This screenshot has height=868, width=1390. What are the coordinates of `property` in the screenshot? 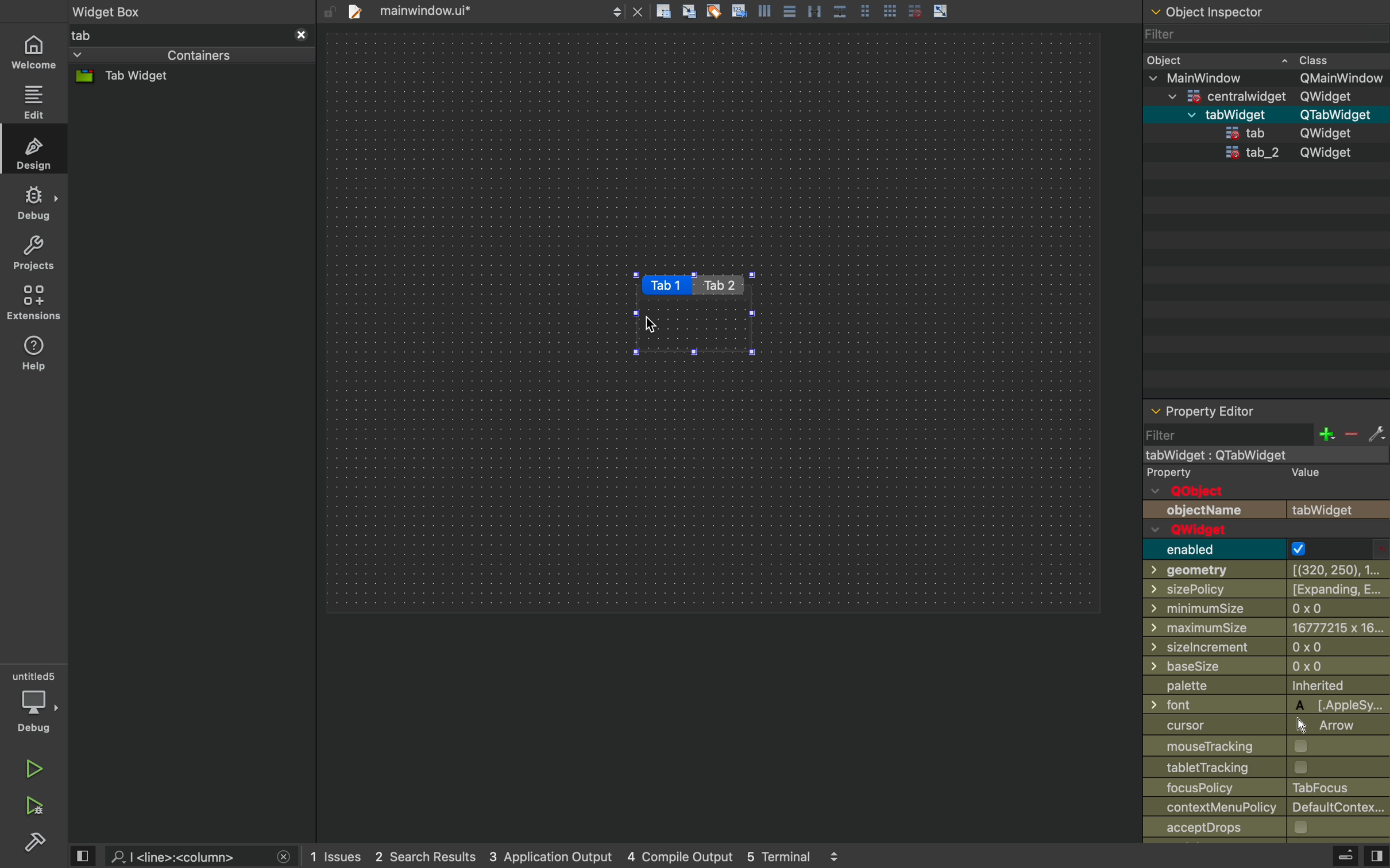 It's located at (1257, 473).